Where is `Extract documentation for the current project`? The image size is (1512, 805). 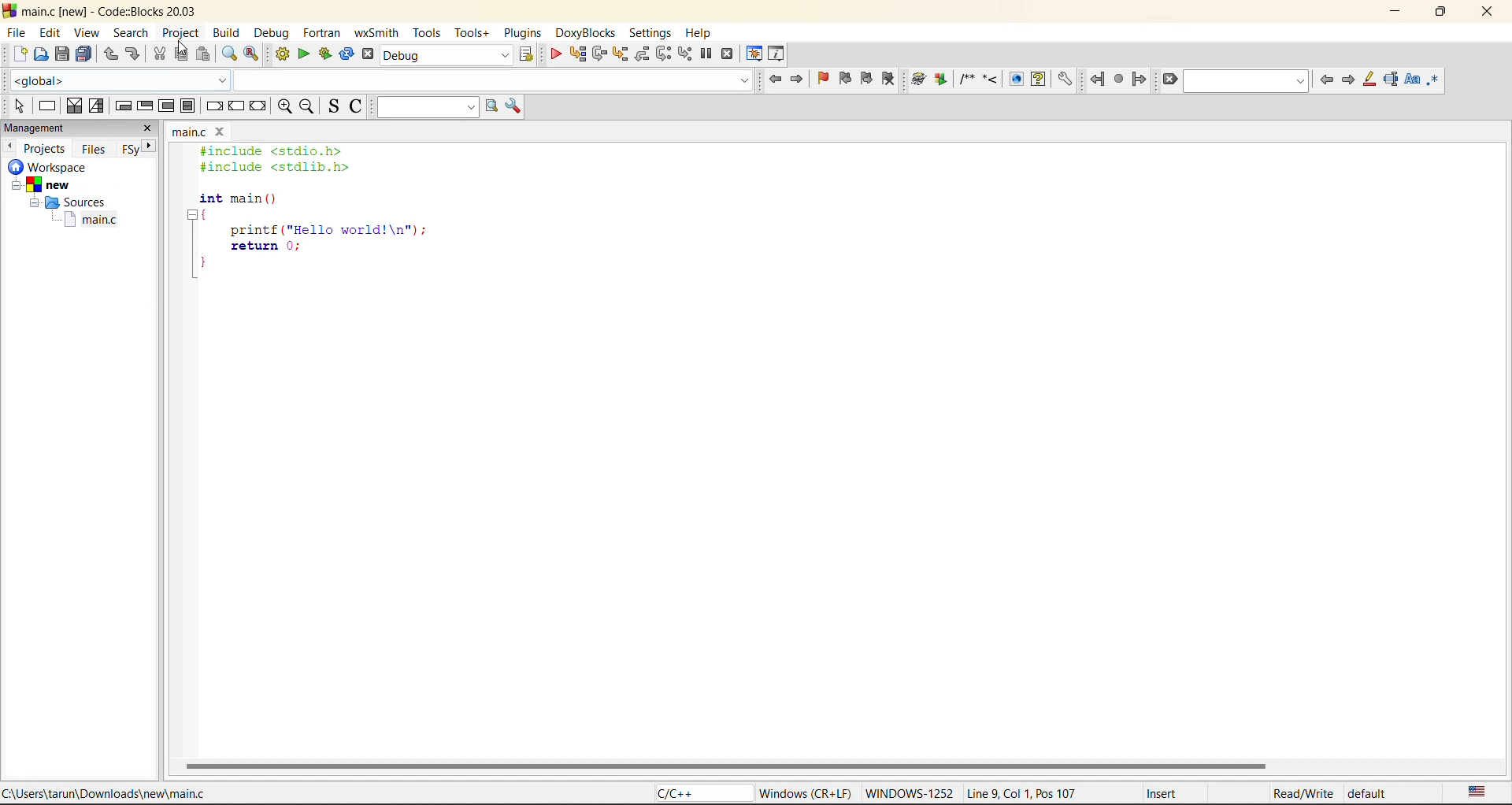
Extract documentation for the current project is located at coordinates (939, 80).